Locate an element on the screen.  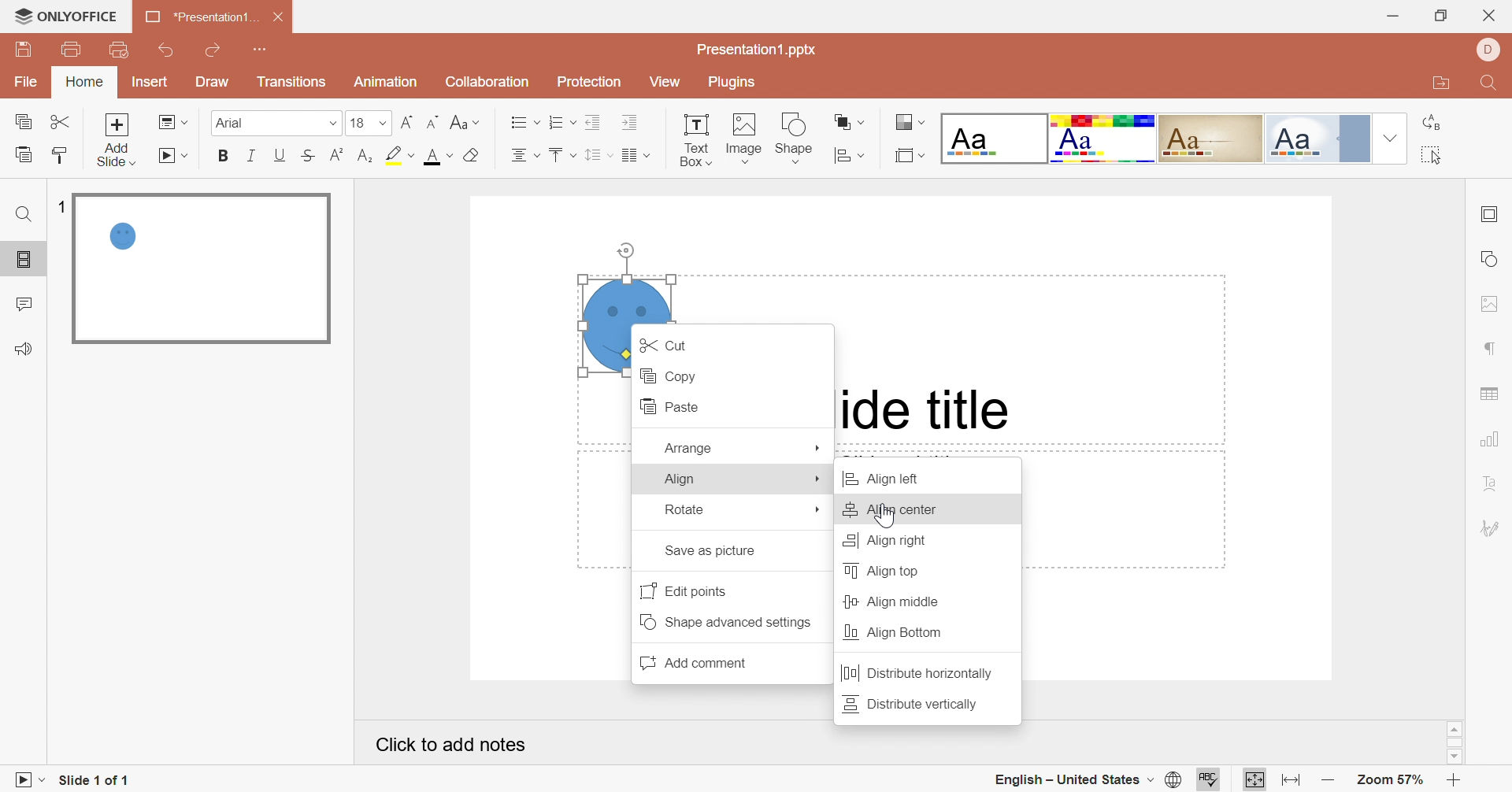
Scroll Up is located at coordinates (1455, 728).